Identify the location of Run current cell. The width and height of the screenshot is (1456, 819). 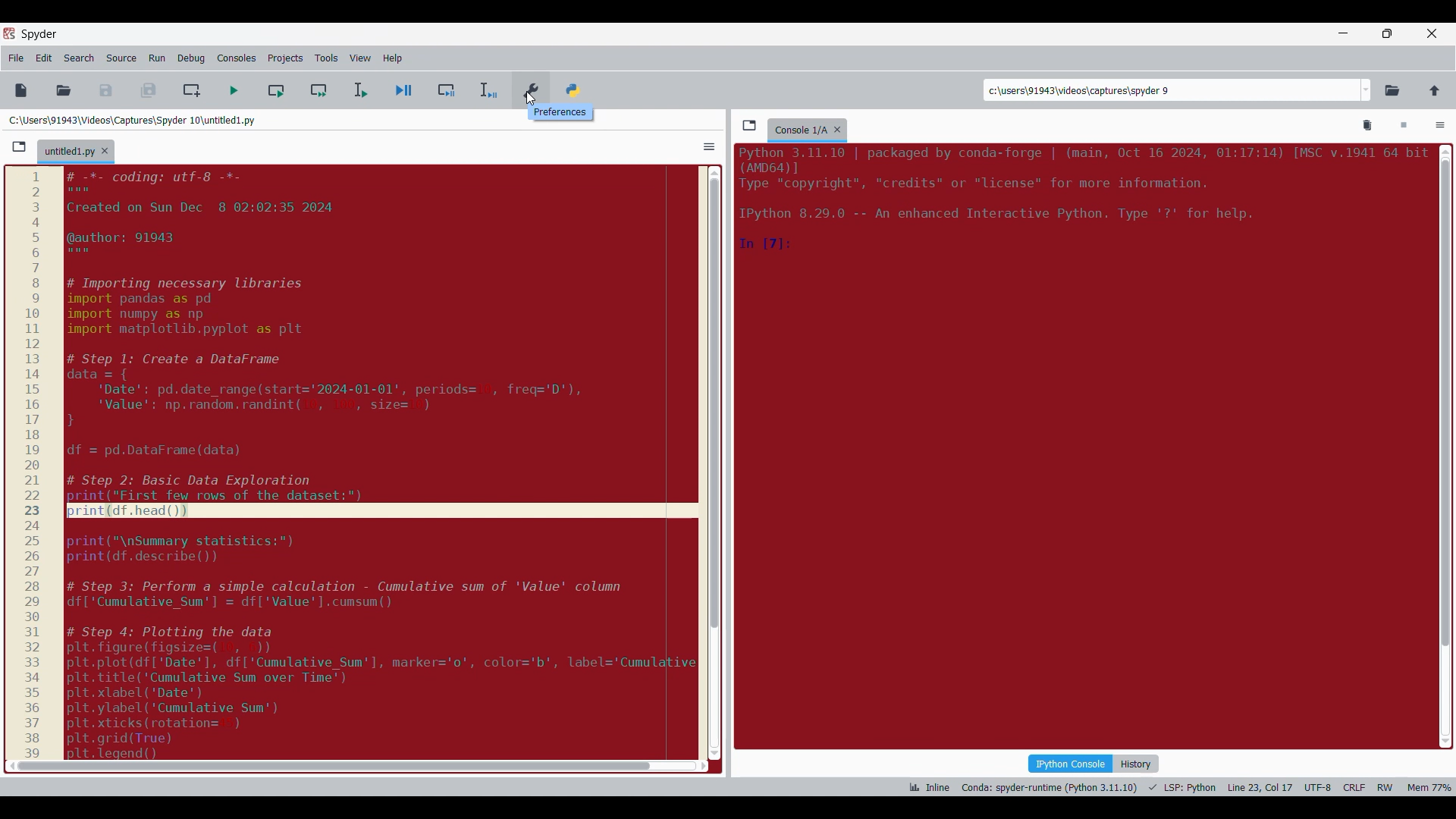
(276, 90).